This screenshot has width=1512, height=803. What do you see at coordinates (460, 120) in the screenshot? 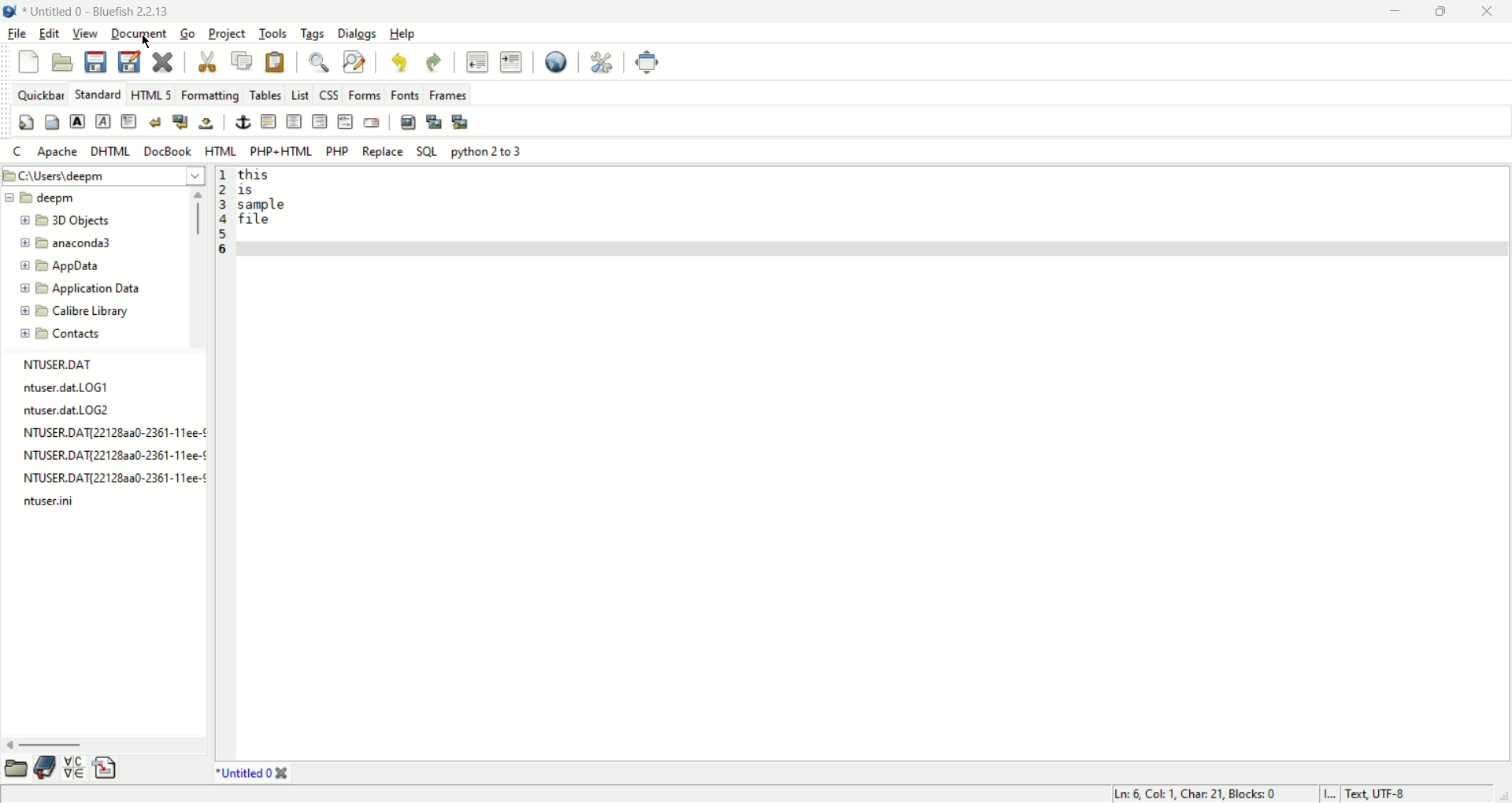
I see `multi thumbnail` at bounding box center [460, 120].